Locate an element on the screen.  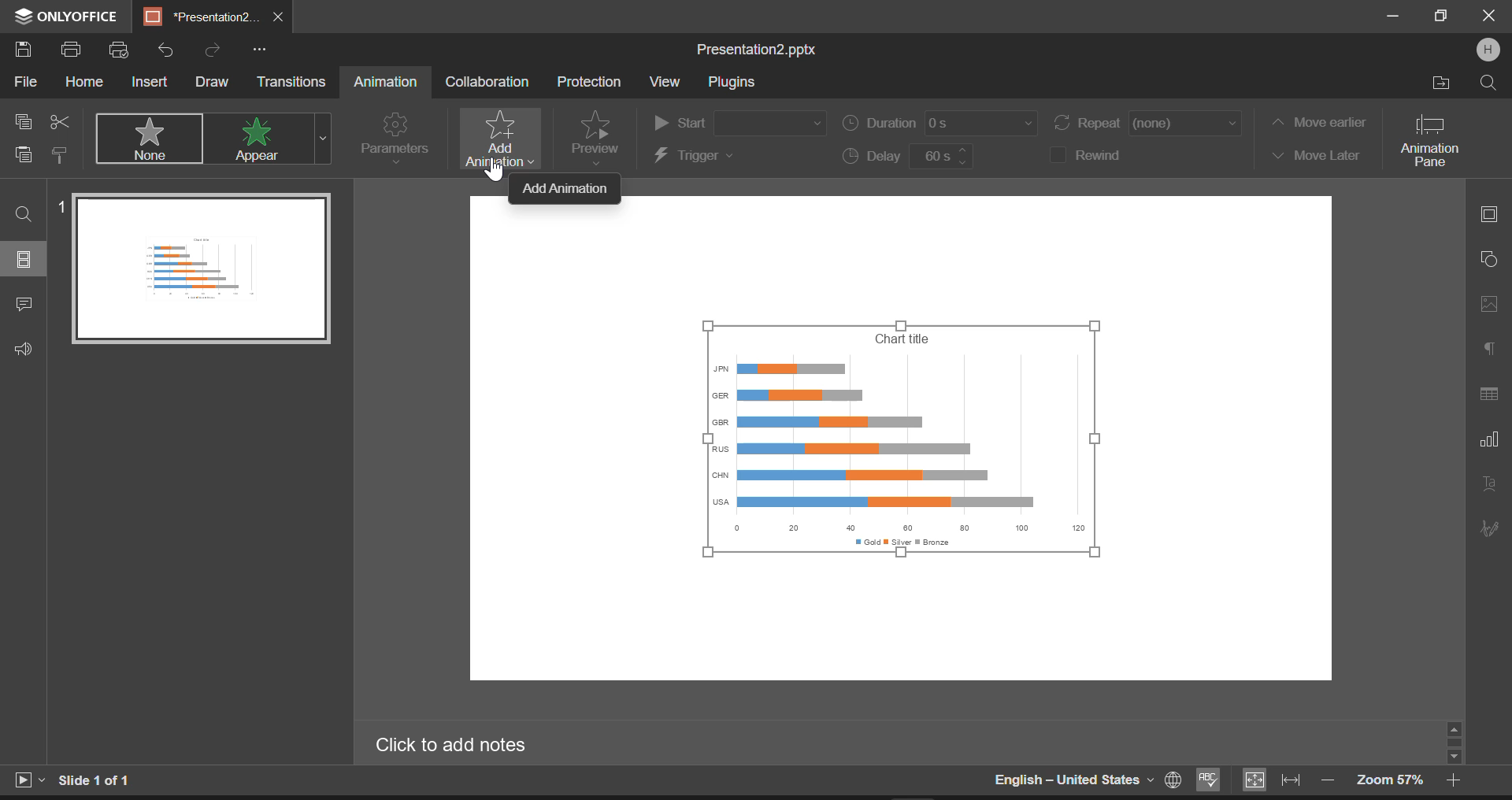
Redo is located at coordinates (213, 48).